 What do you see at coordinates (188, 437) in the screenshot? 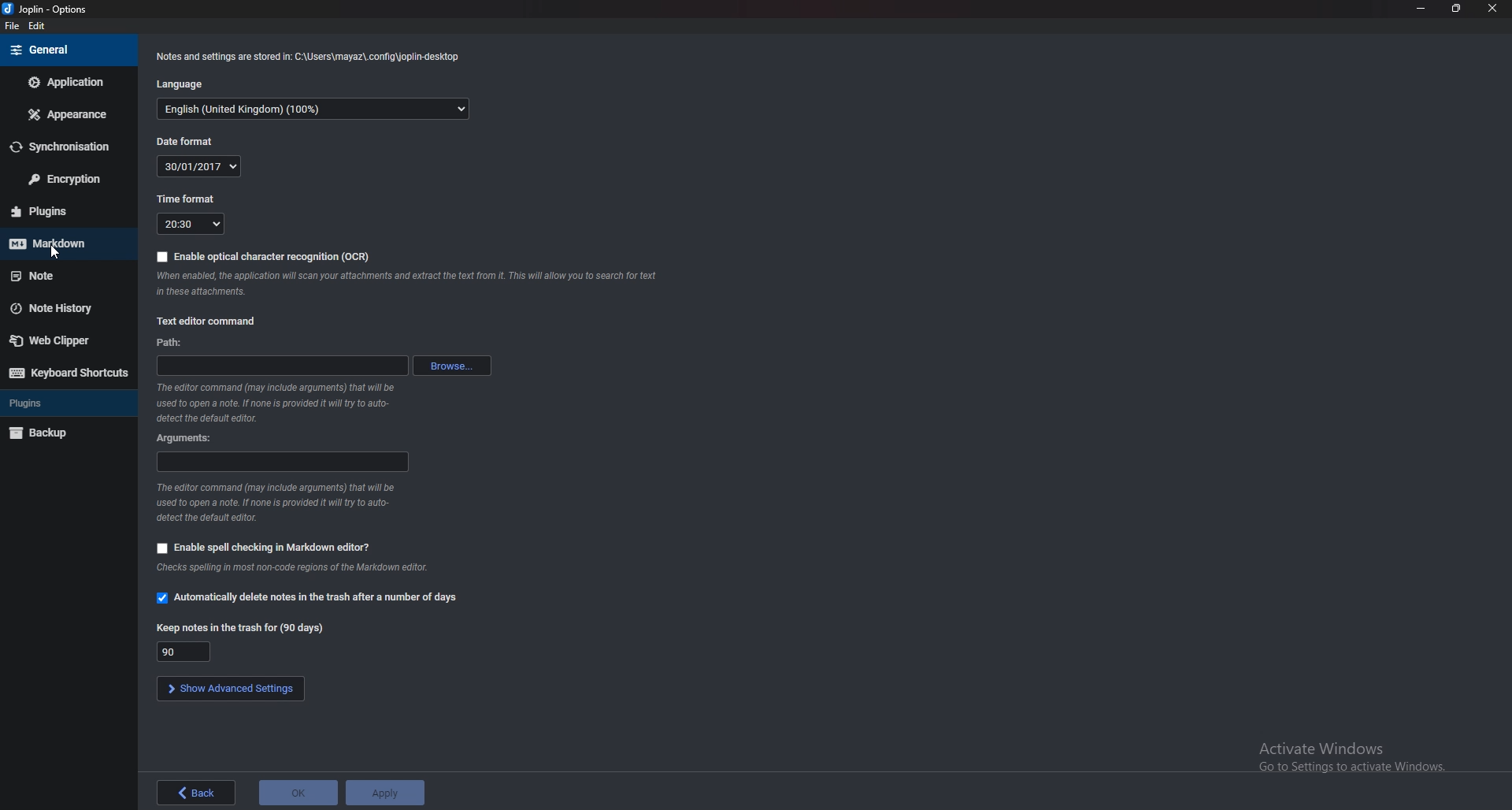
I see `arguments` at bounding box center [188, 437].